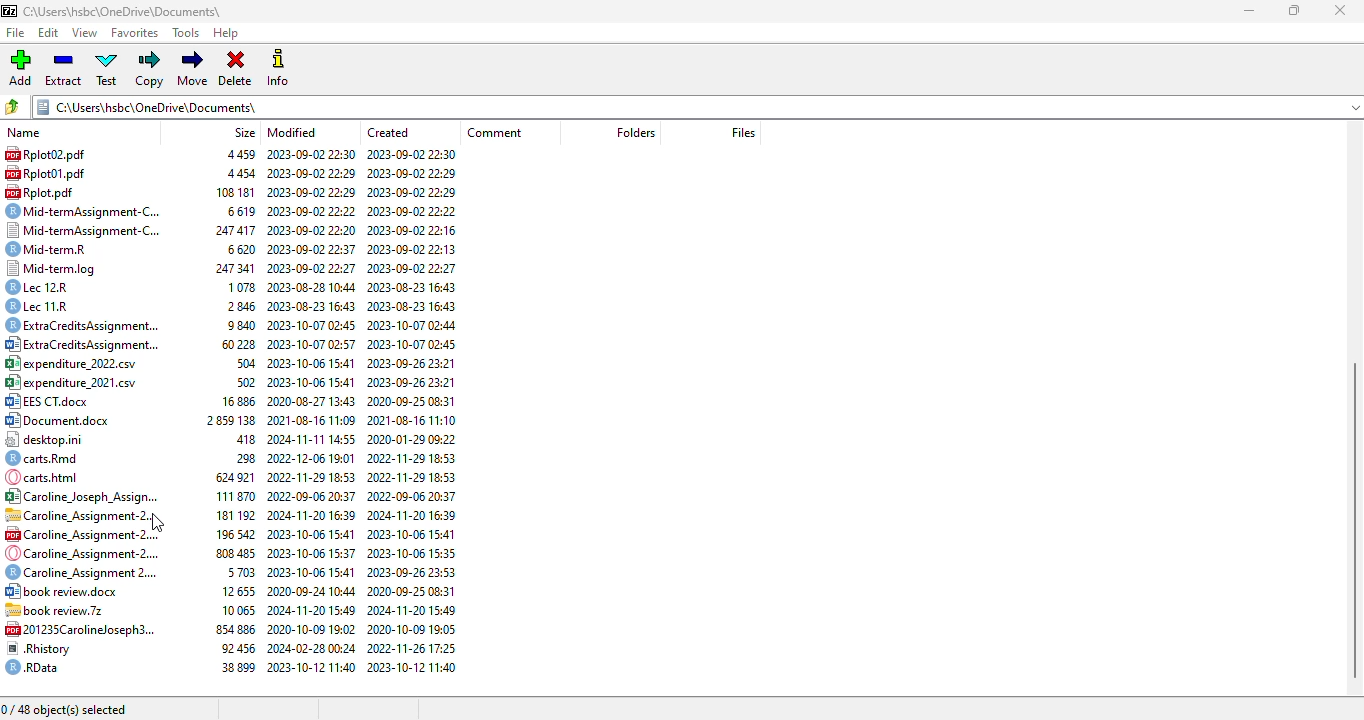 The image size is (1364, 720). I want to click on 2022-09-06 20:37, so click(312, 495).